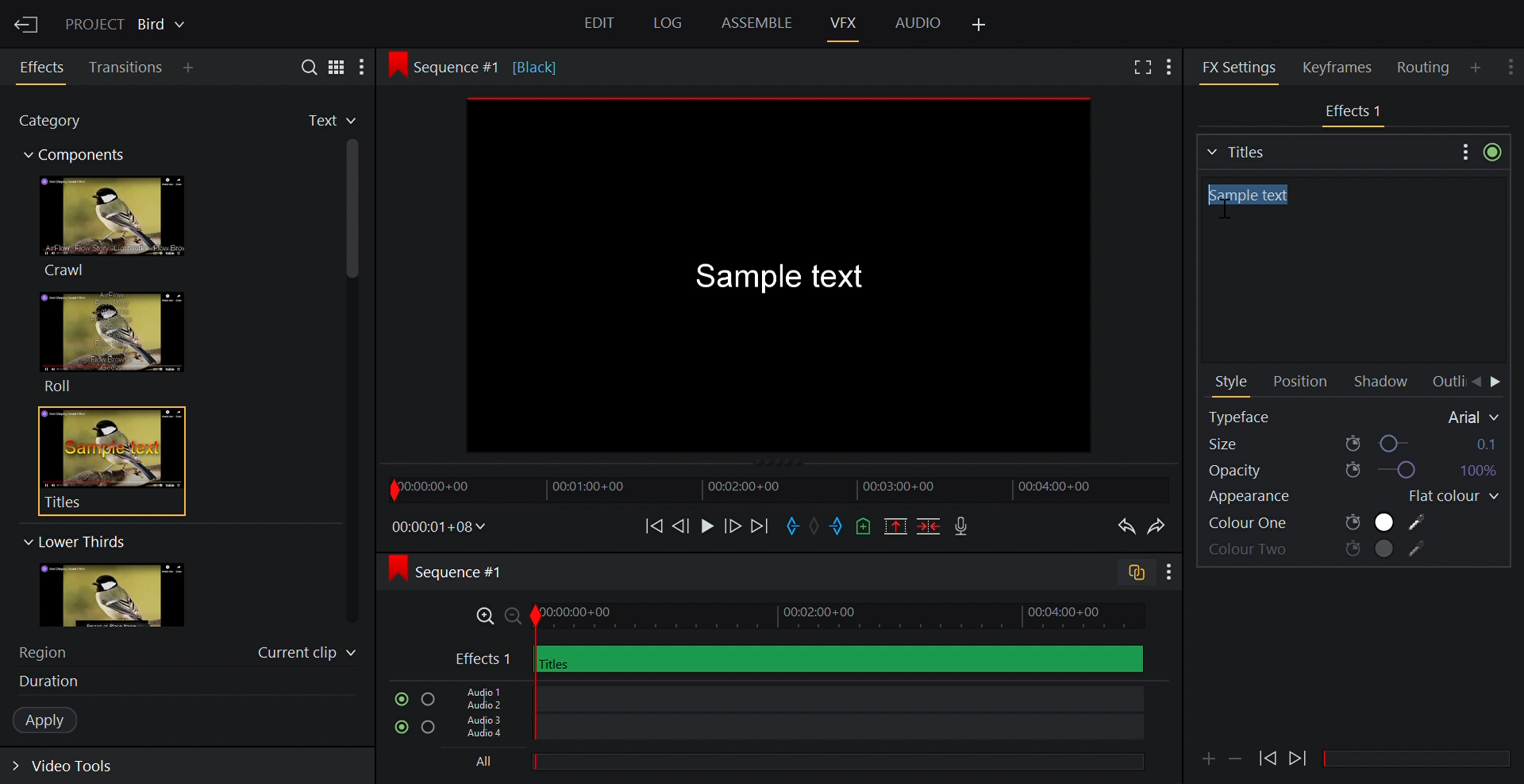  What do you see at coordinates (731, 525) in the screenshot?
I see `Nudge one frame forward` at bounding box center [731, 525].